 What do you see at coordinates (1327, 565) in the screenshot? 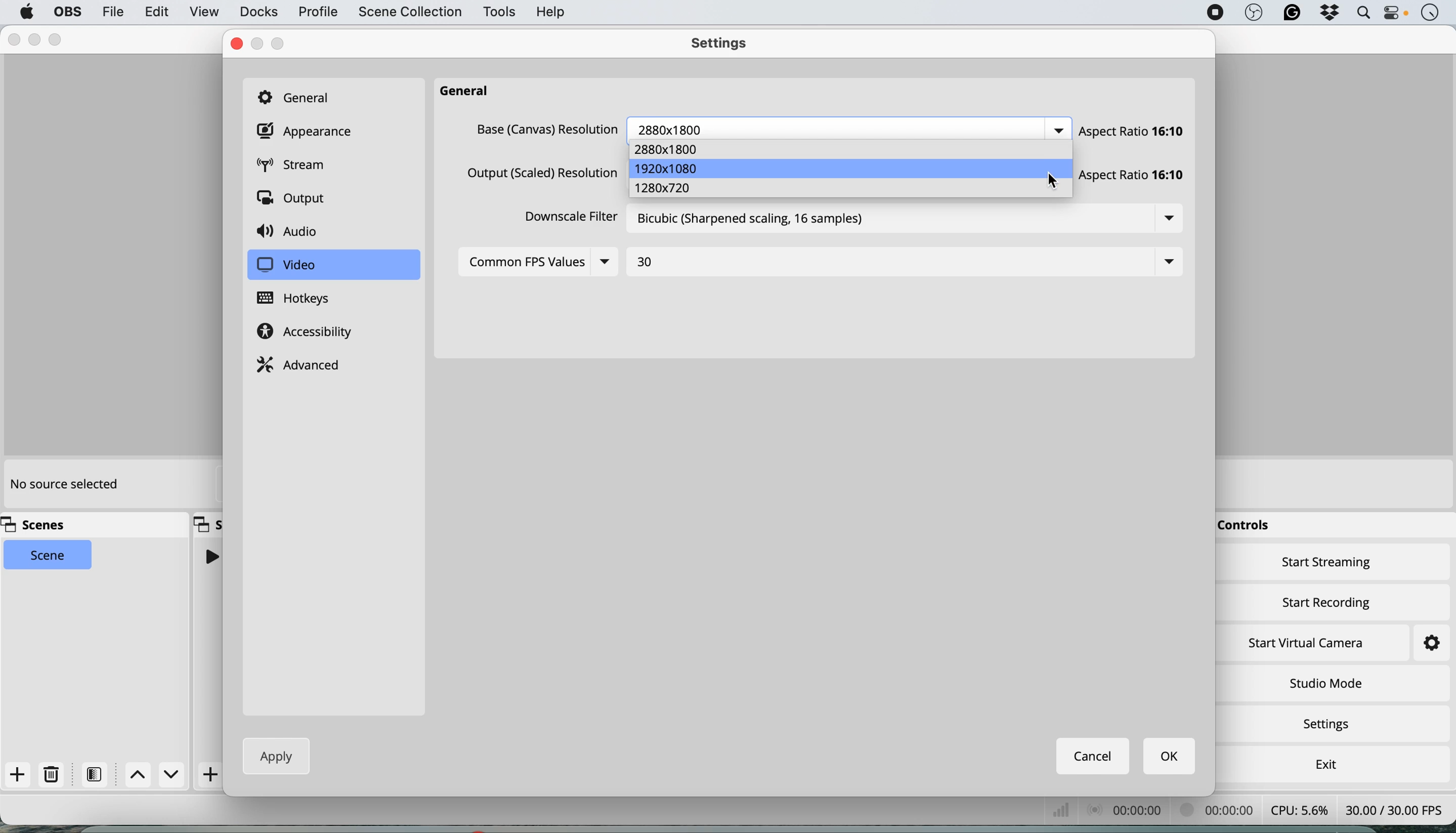
I see `start streaming` at bounding box center [1327, 565].